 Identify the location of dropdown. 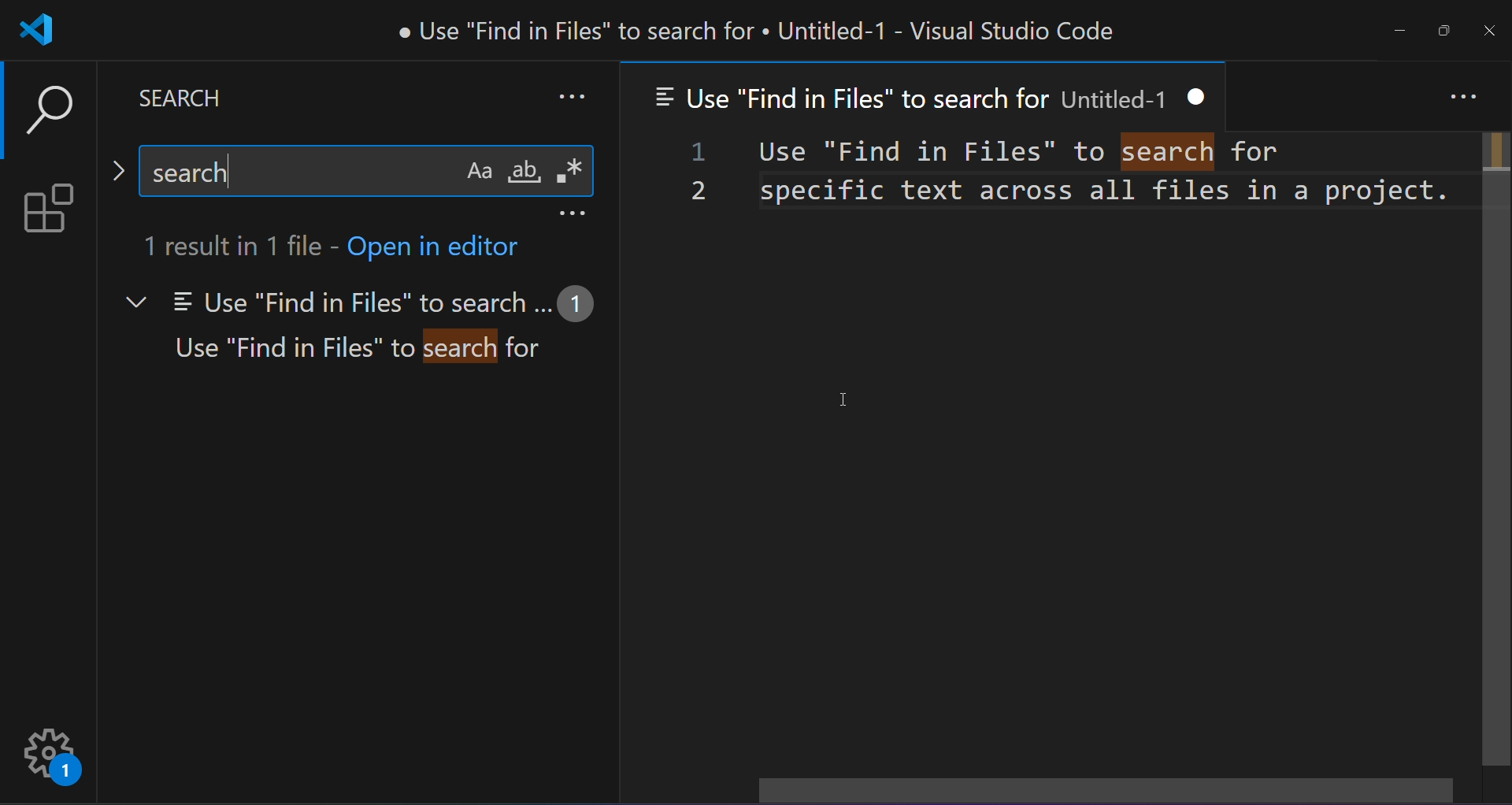
(133, 295).